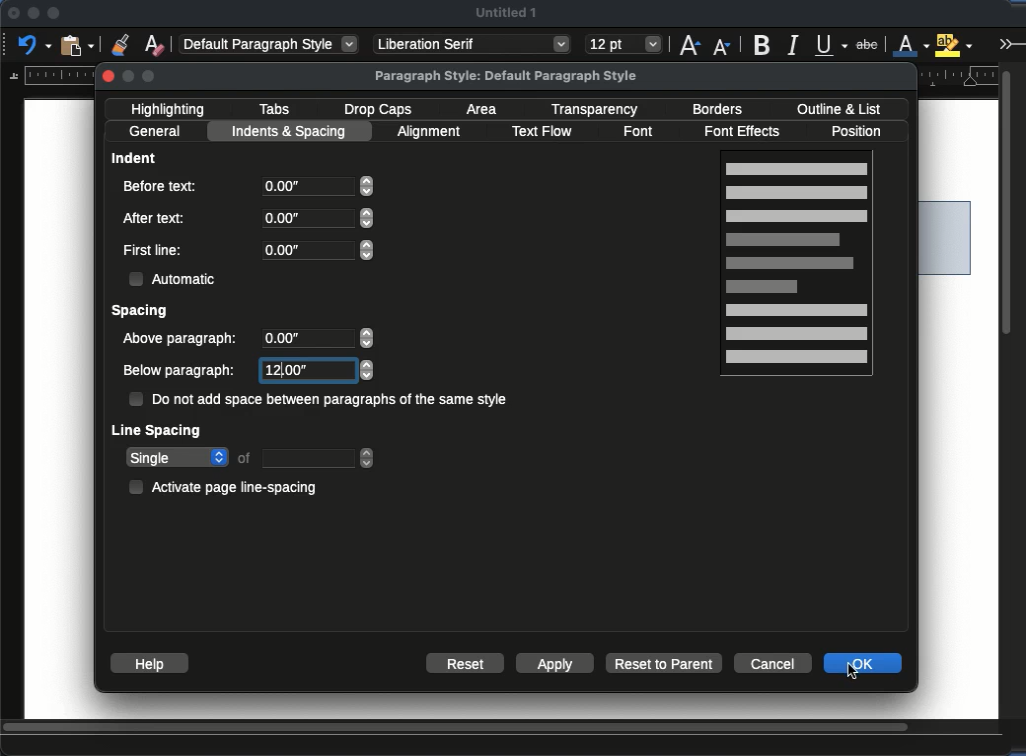 This screenshot has height=756, width=1026. What do you see at coordinates (33, 13) in the screenshot?
I see `minimize` at bounding box center [33, 13].